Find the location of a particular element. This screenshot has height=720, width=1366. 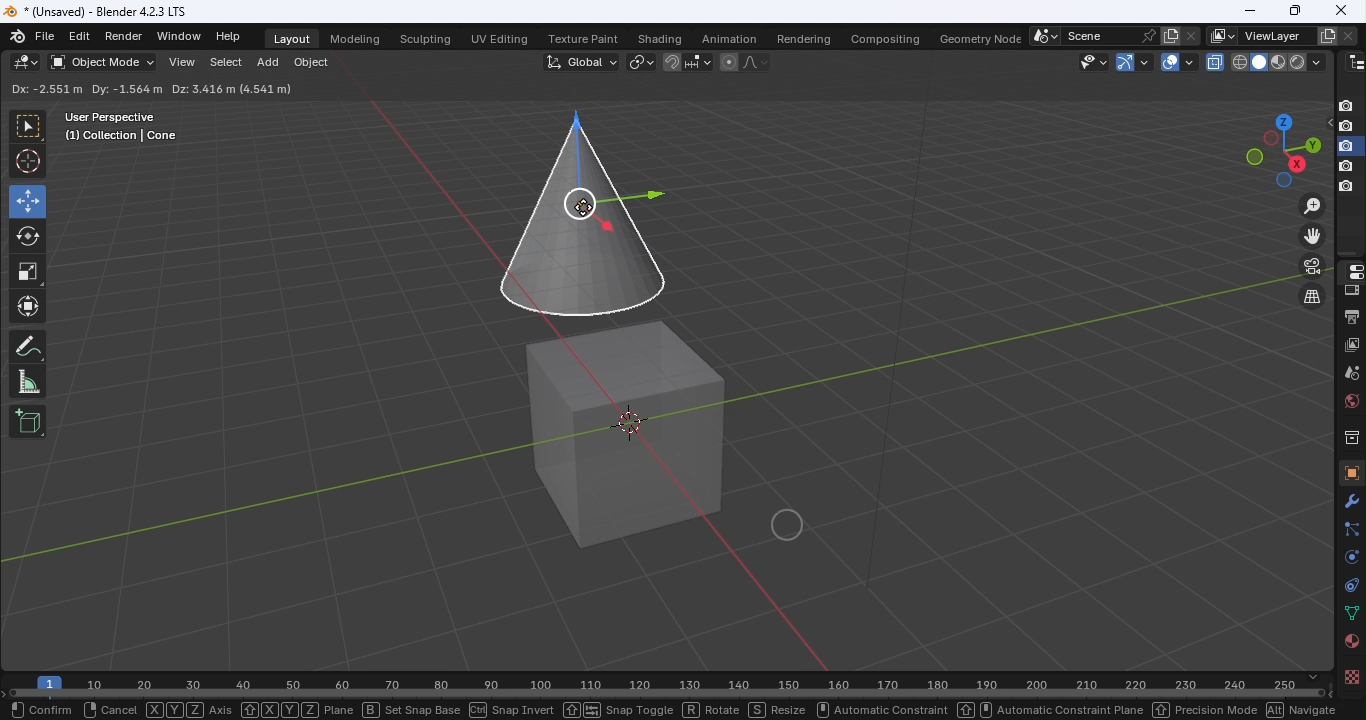

Physics is located at coordinates (1349, 556).